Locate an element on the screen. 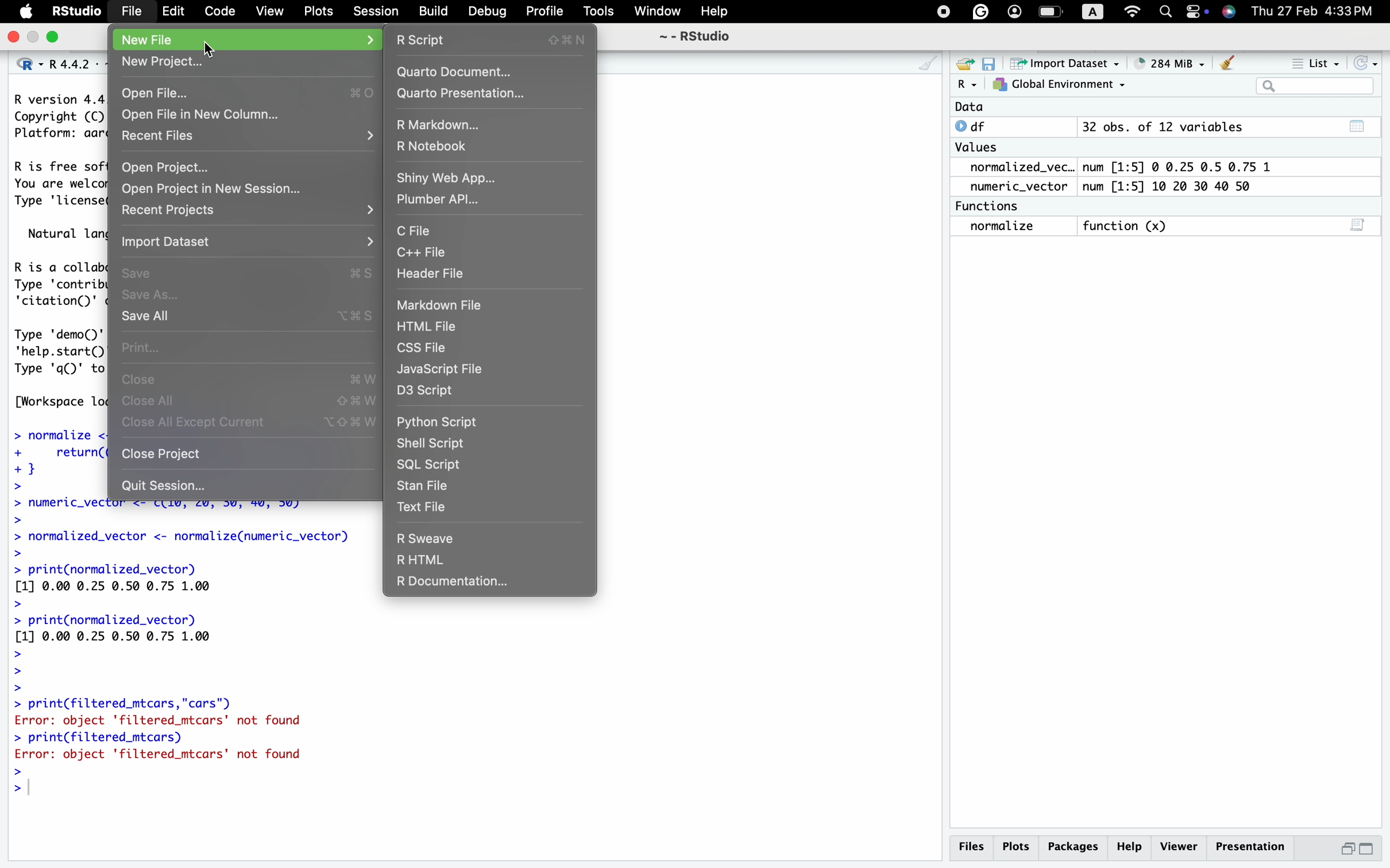 This screenshot has height=868, width=1390. SIRI is located at coordinates (1232, 13).